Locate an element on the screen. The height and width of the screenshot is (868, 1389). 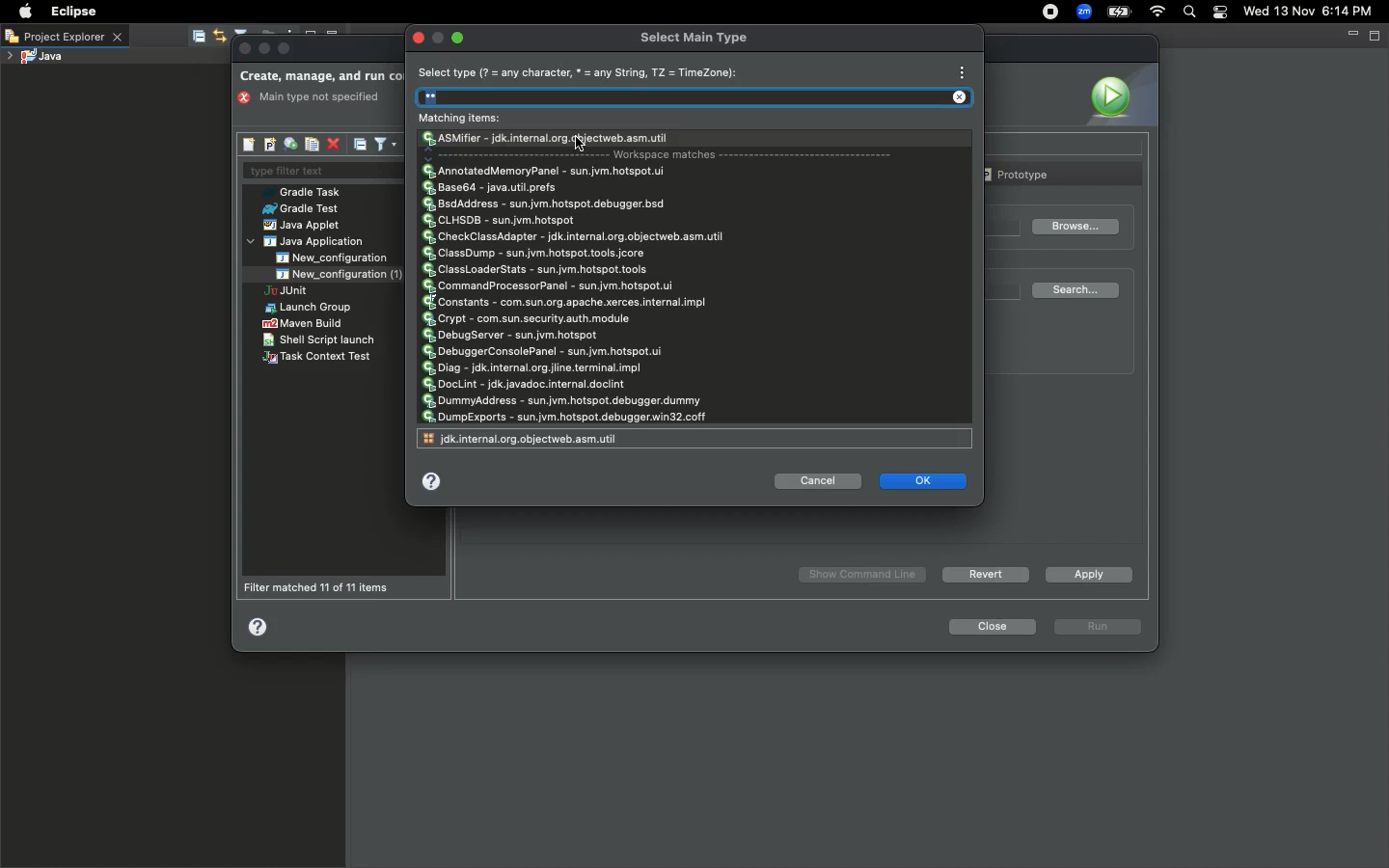
New_configuration (1) is located at coordinates (337, 274).